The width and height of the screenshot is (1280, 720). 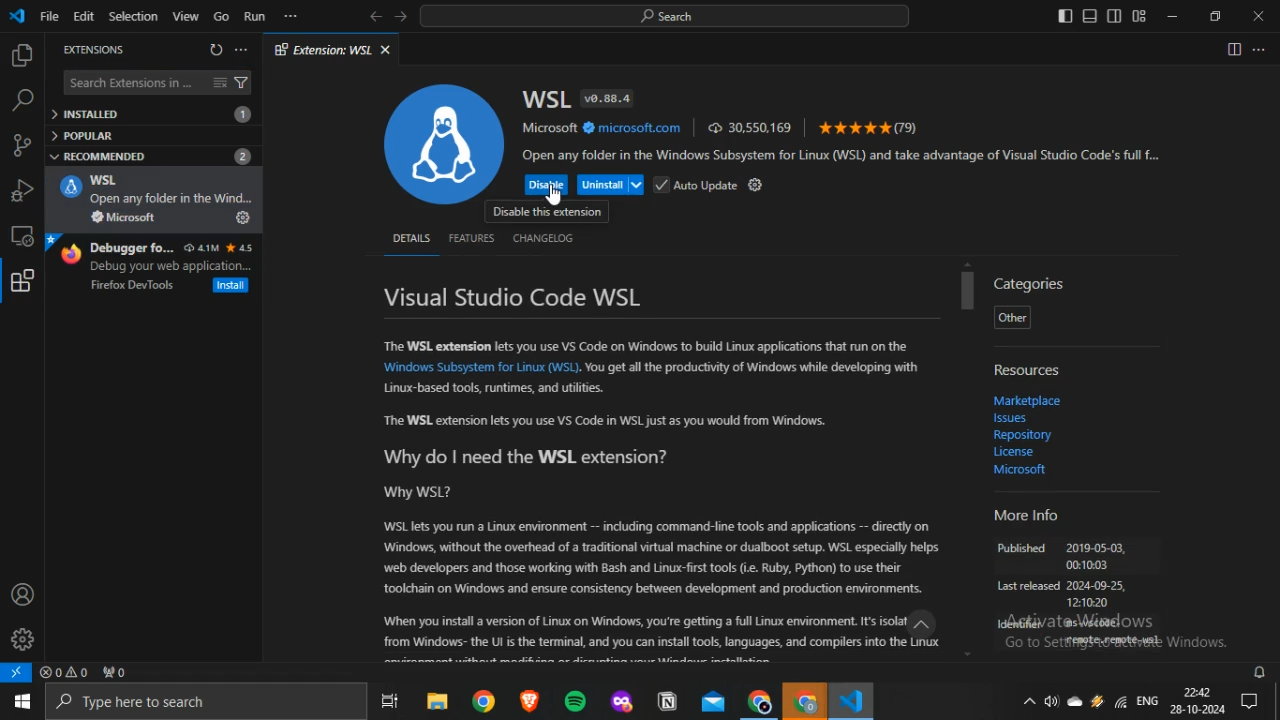 What do you see at coordinates (1027, 401) in the screenshot?
I see `‘Marketplace` at bounding box center [1027, 401].